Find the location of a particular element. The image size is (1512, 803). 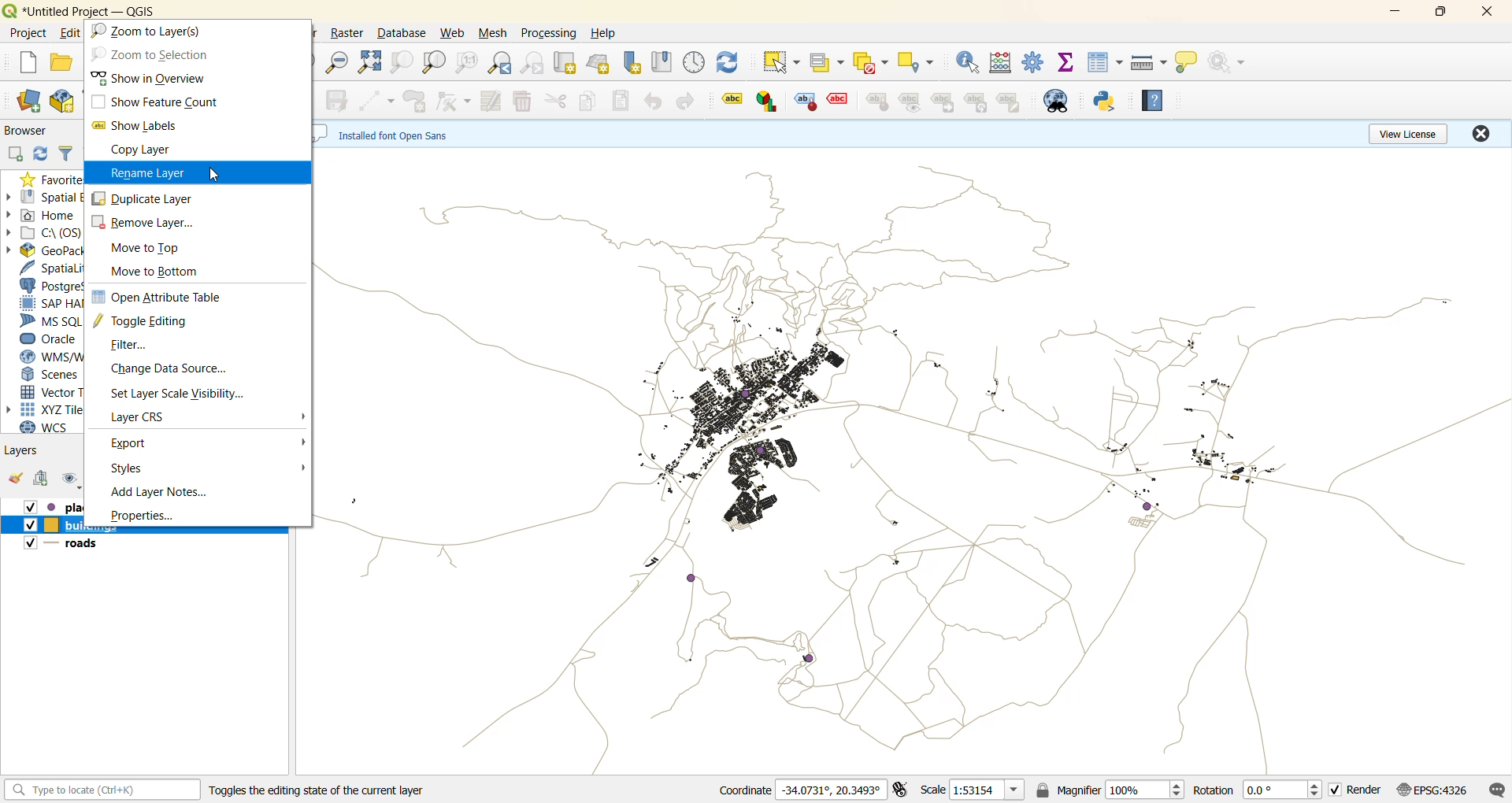

close is located at coordinates (1486, 13).